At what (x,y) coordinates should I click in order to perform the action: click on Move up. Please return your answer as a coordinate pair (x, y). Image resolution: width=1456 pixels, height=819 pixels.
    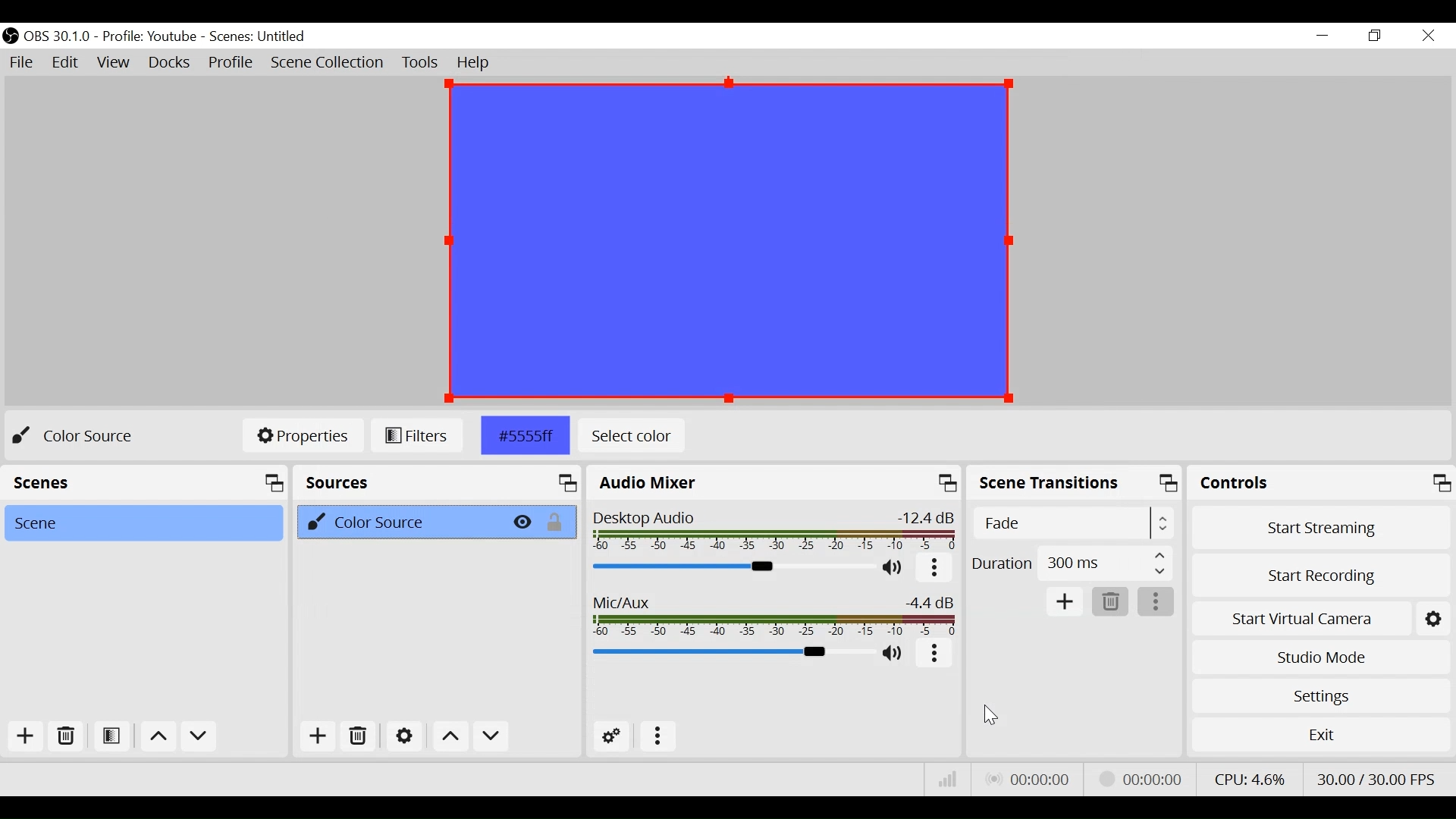
    Looking at the image, I should click on (451, 738).